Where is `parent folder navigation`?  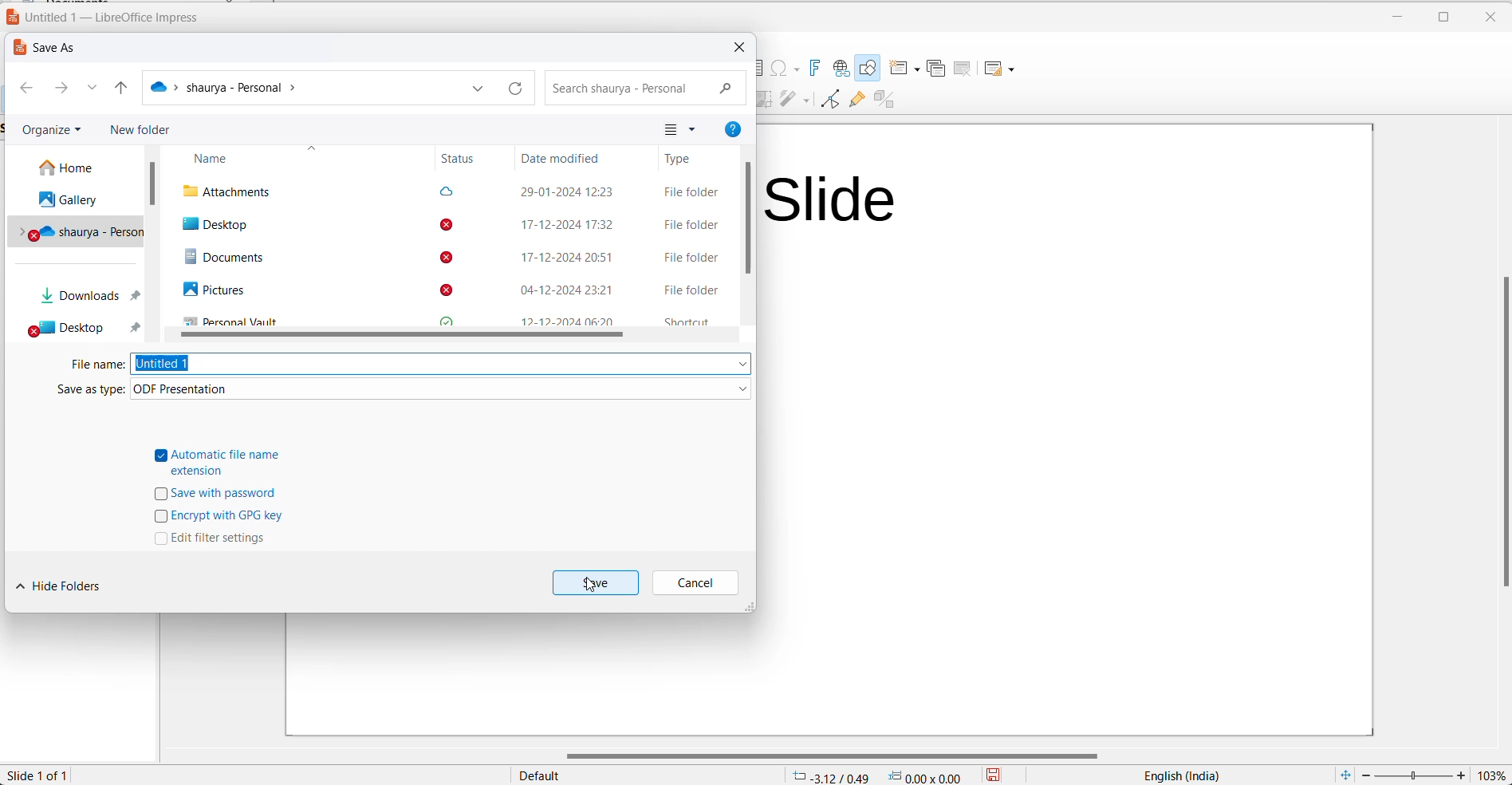
parent folder navigation is located at coordinates (127, 88).